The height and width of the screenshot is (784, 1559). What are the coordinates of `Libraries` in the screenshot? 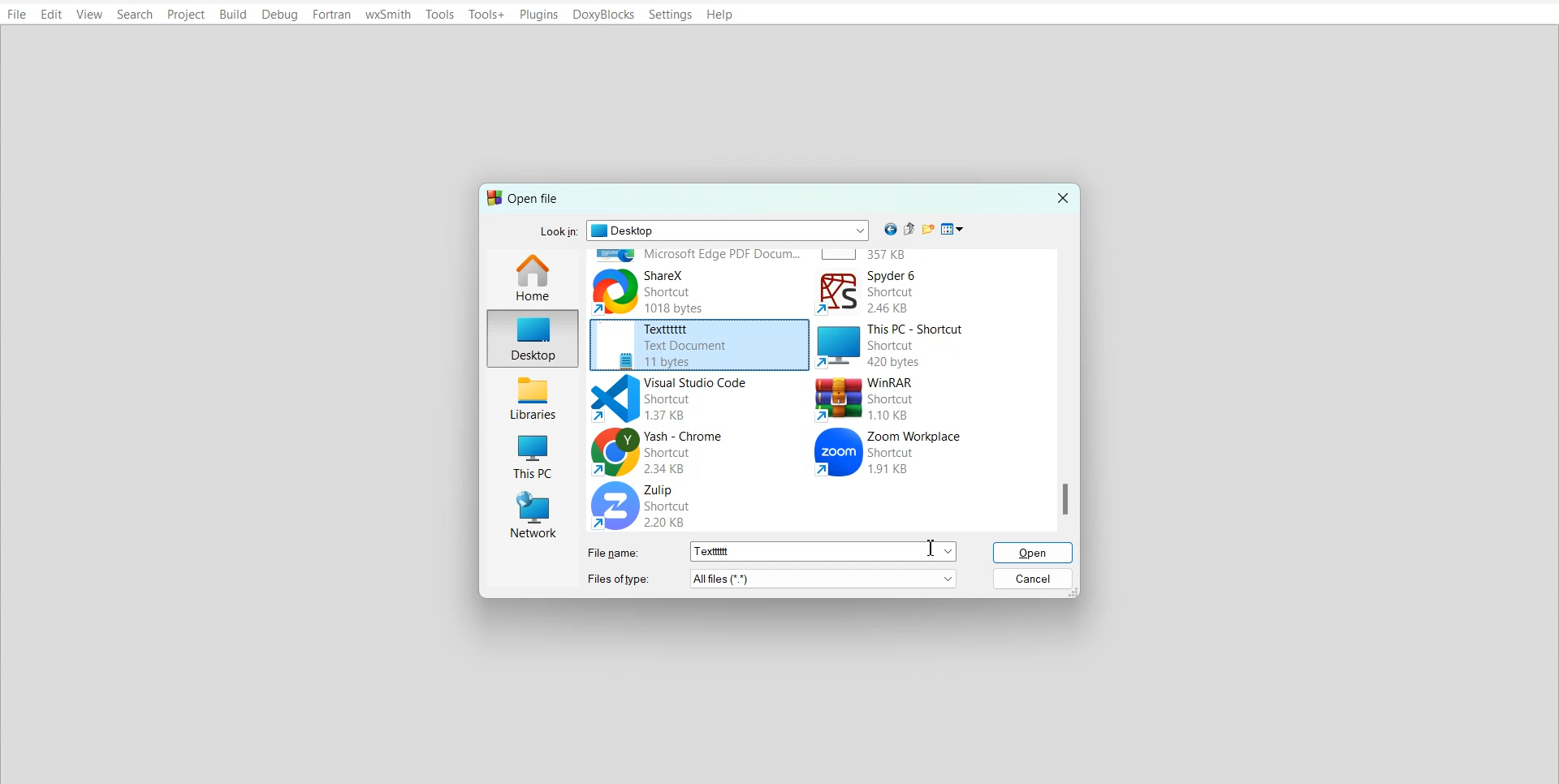 It's located at (529, 399).